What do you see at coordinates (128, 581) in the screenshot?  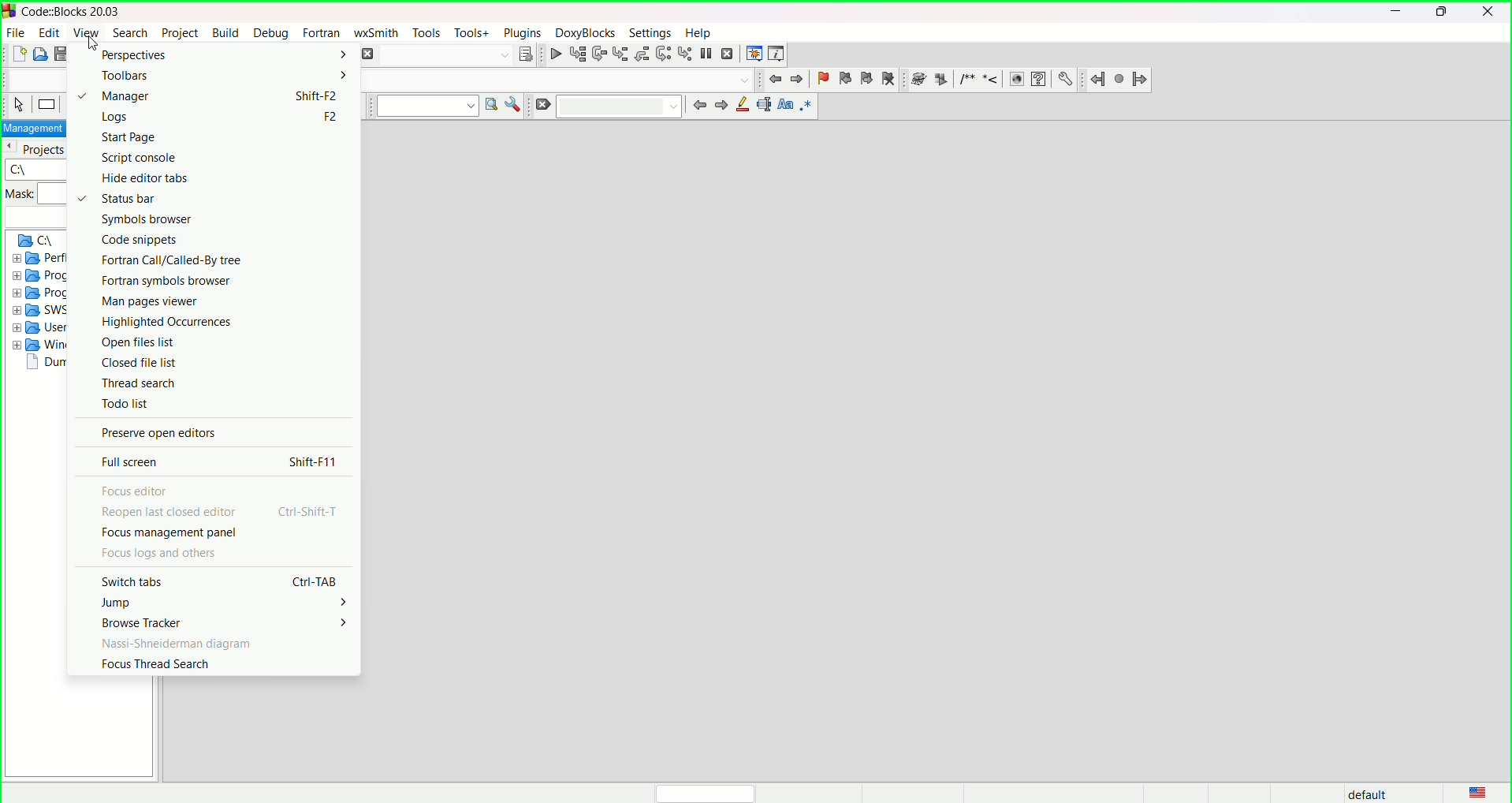 I see `switch tabs` at bounding box center [128, 581].